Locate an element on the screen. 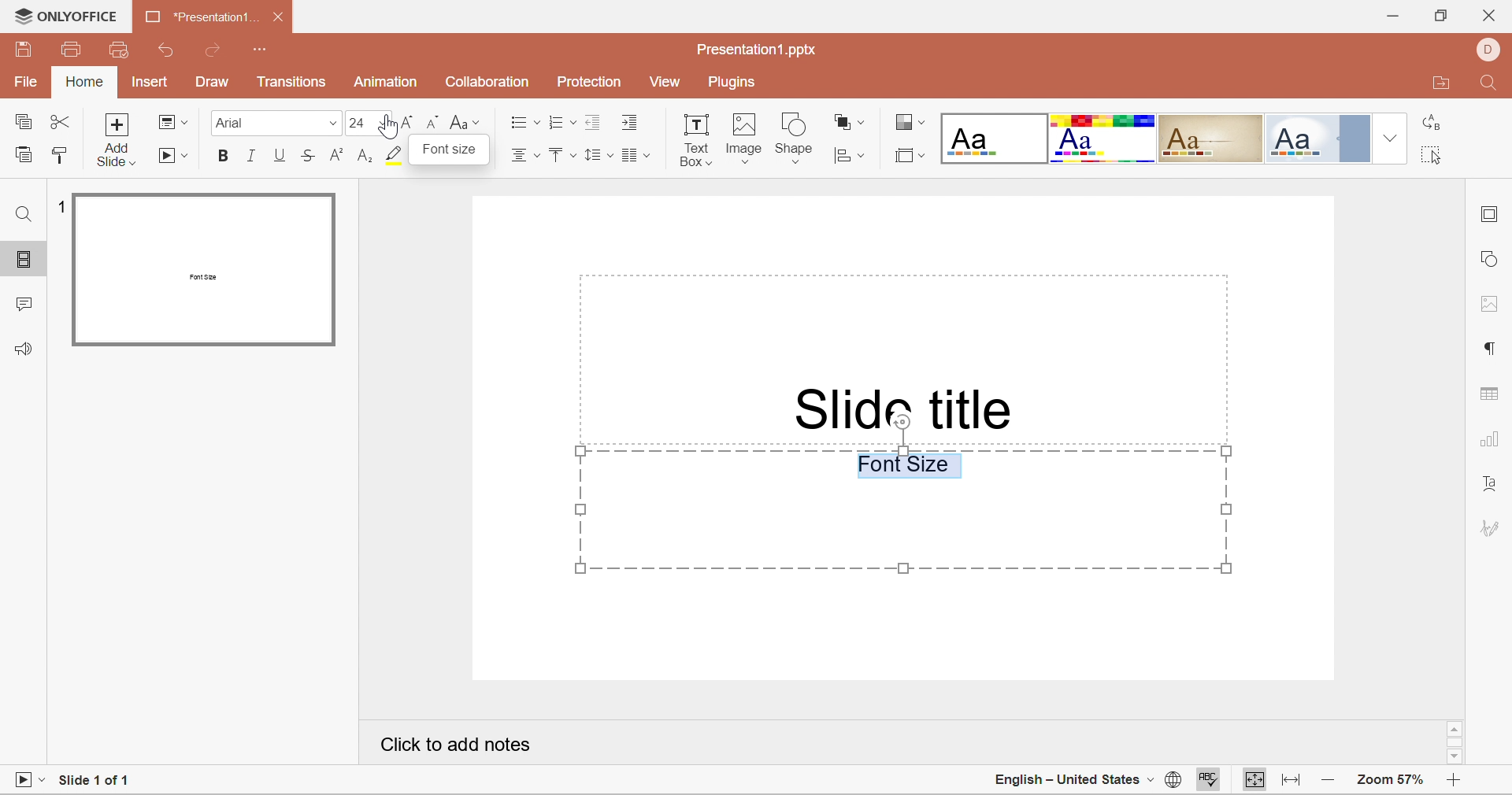  Bullets is located at coordinates (524, 122).